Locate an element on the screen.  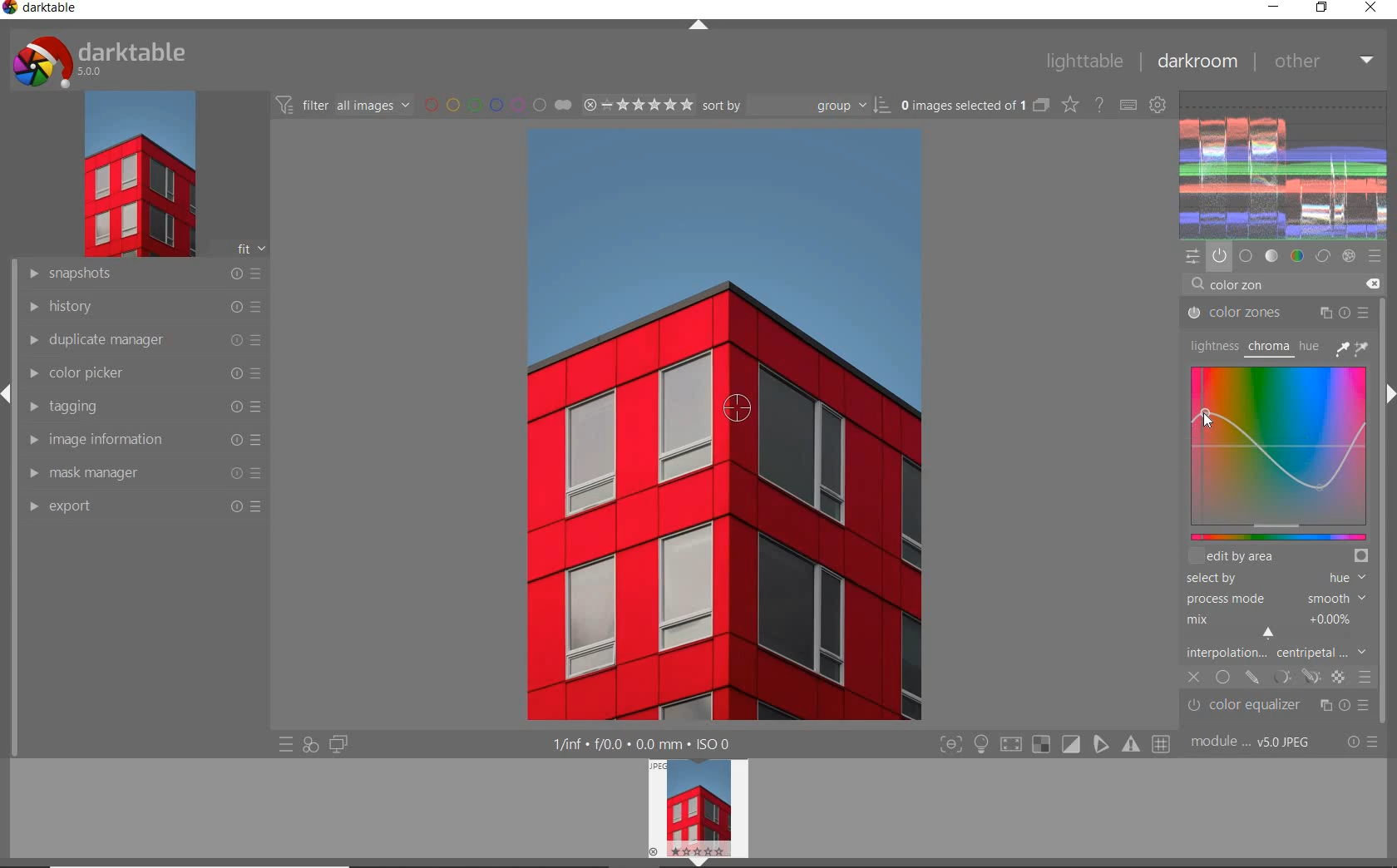
dakroom is located at coordinates (1196, 61).